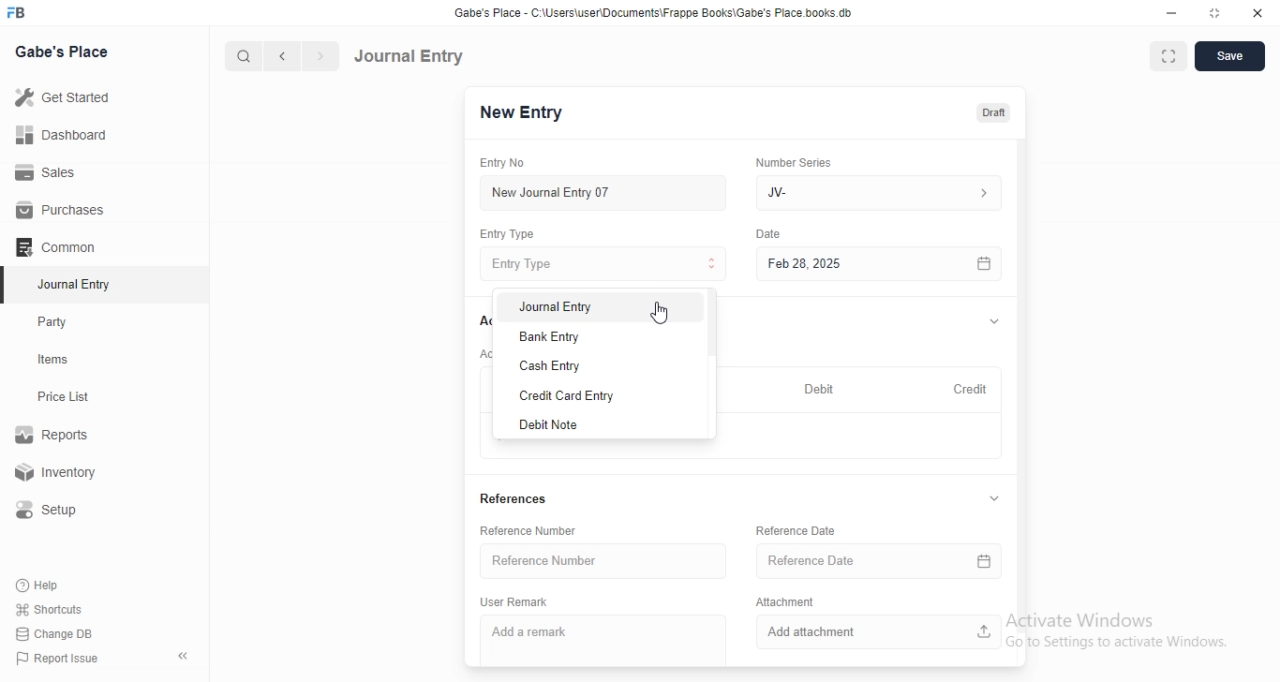  What do you see at coordinates (409, 56) in the screenshot?
I see `Journal Entry` at bounding box center [409, 56].